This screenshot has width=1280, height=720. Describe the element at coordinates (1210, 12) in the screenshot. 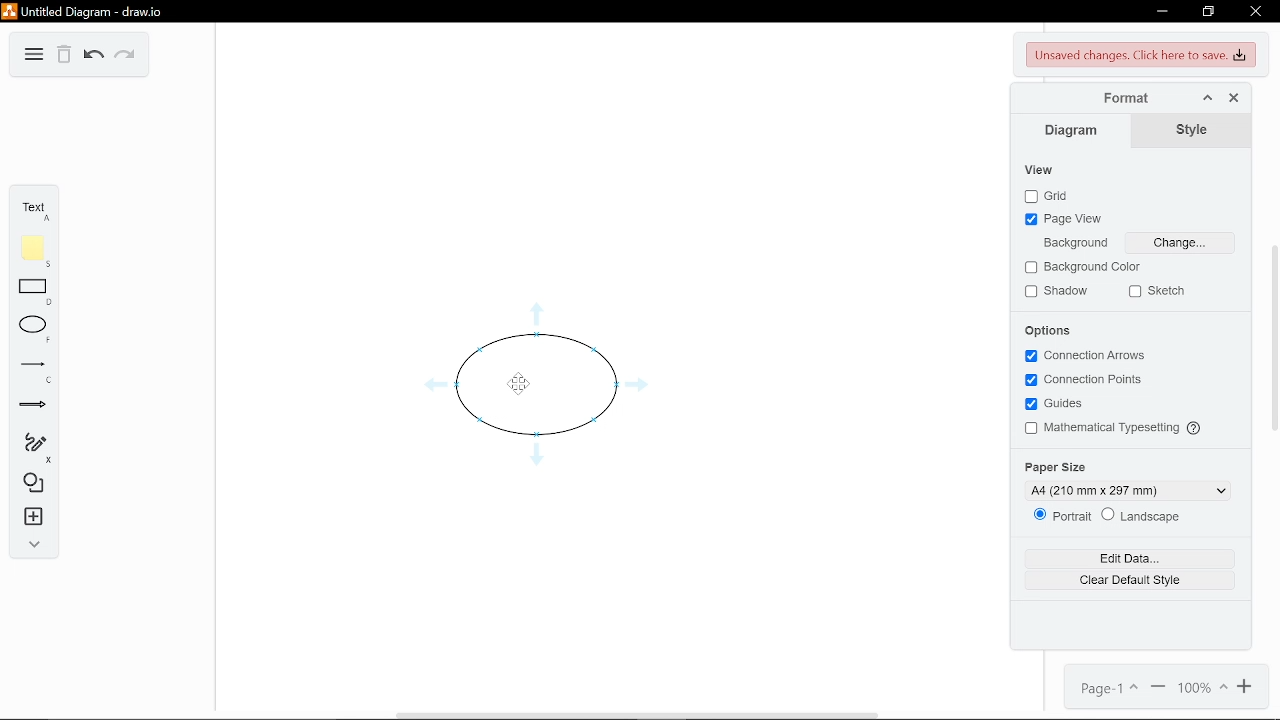

I see `Restore down` at that location.